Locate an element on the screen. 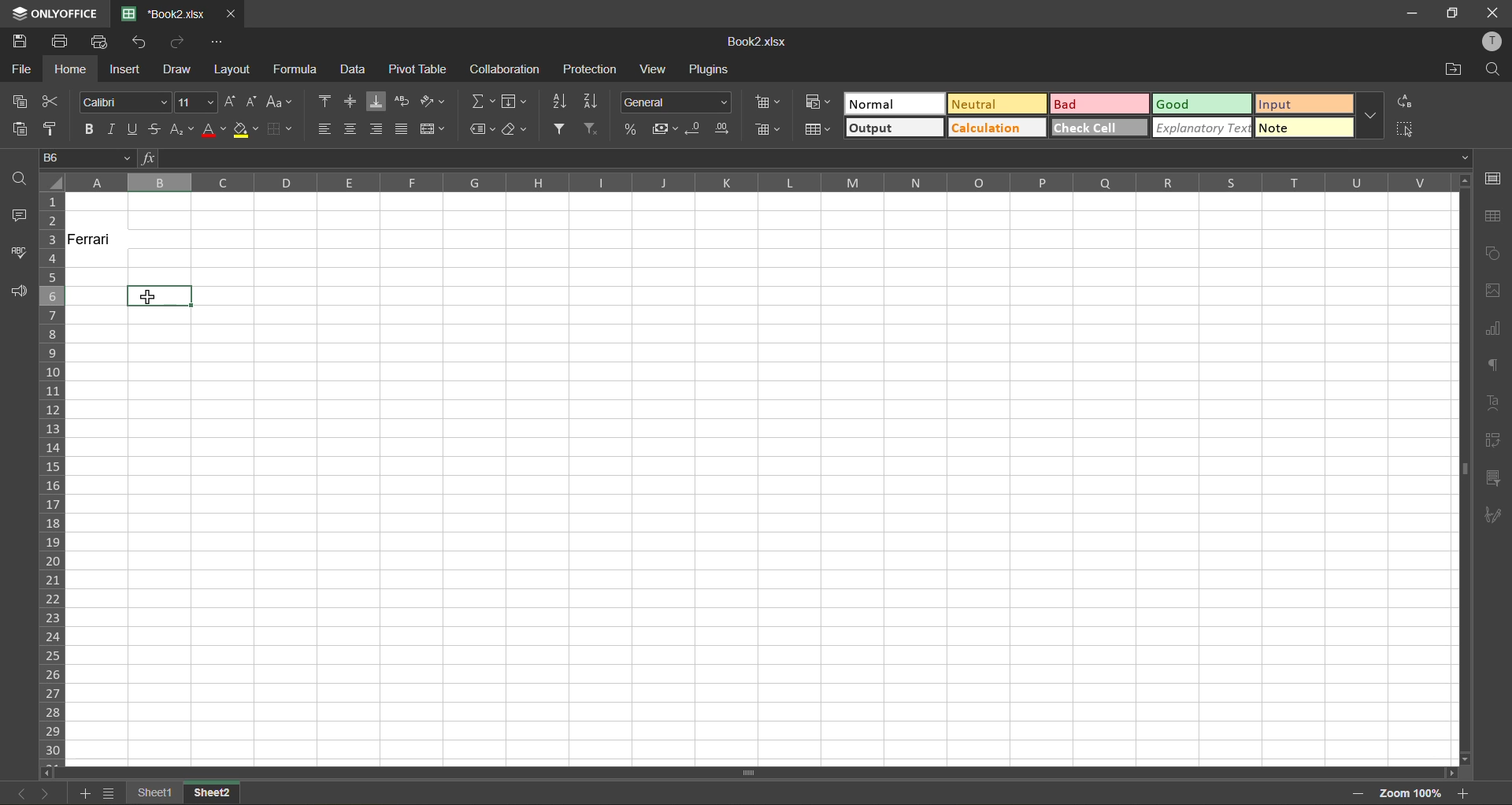 The width and height of the screenshot is (1512, 805). sheet list is located at coordinates (109, 793).